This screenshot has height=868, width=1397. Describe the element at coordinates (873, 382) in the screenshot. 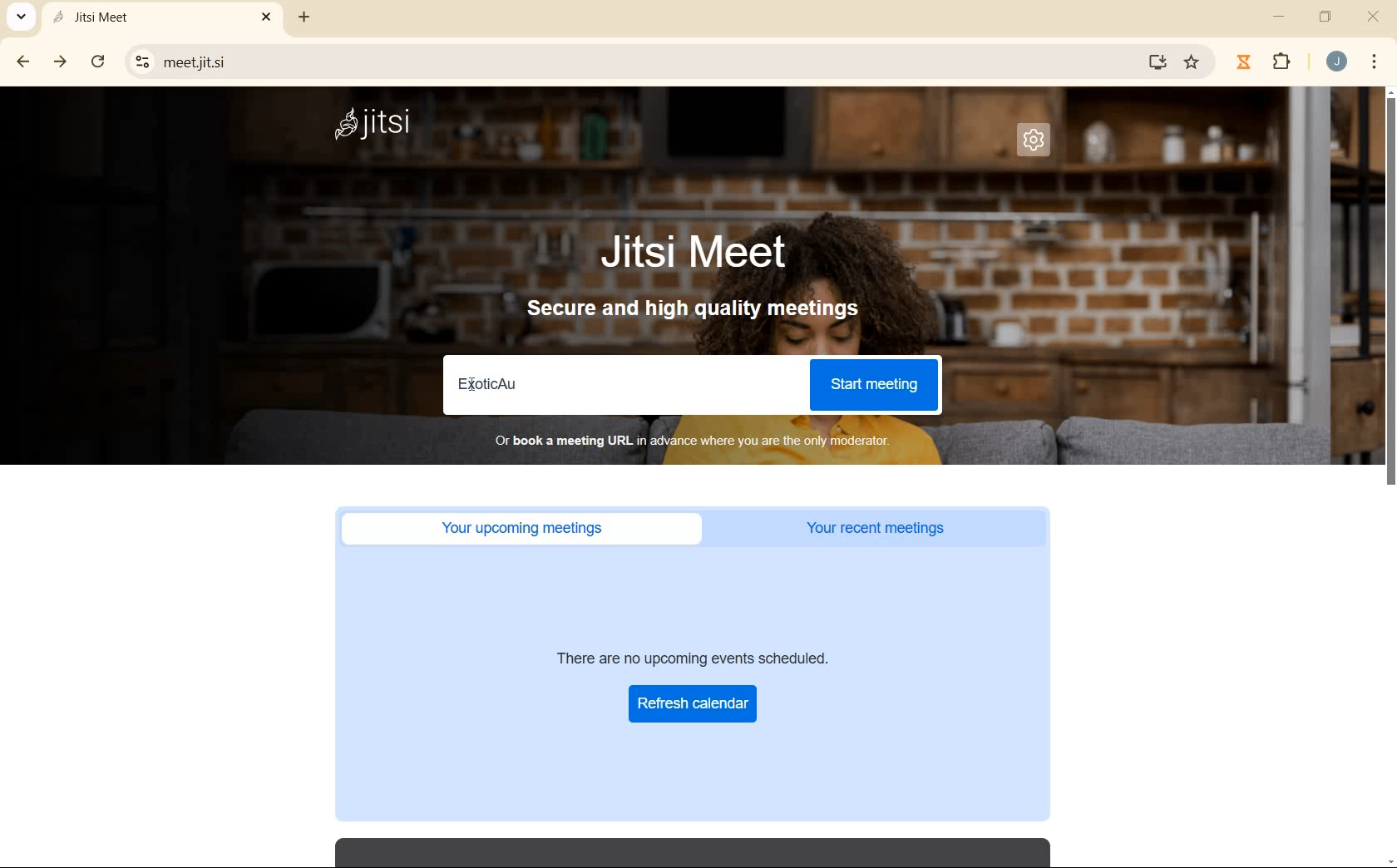

I see `start meeting` at that location.